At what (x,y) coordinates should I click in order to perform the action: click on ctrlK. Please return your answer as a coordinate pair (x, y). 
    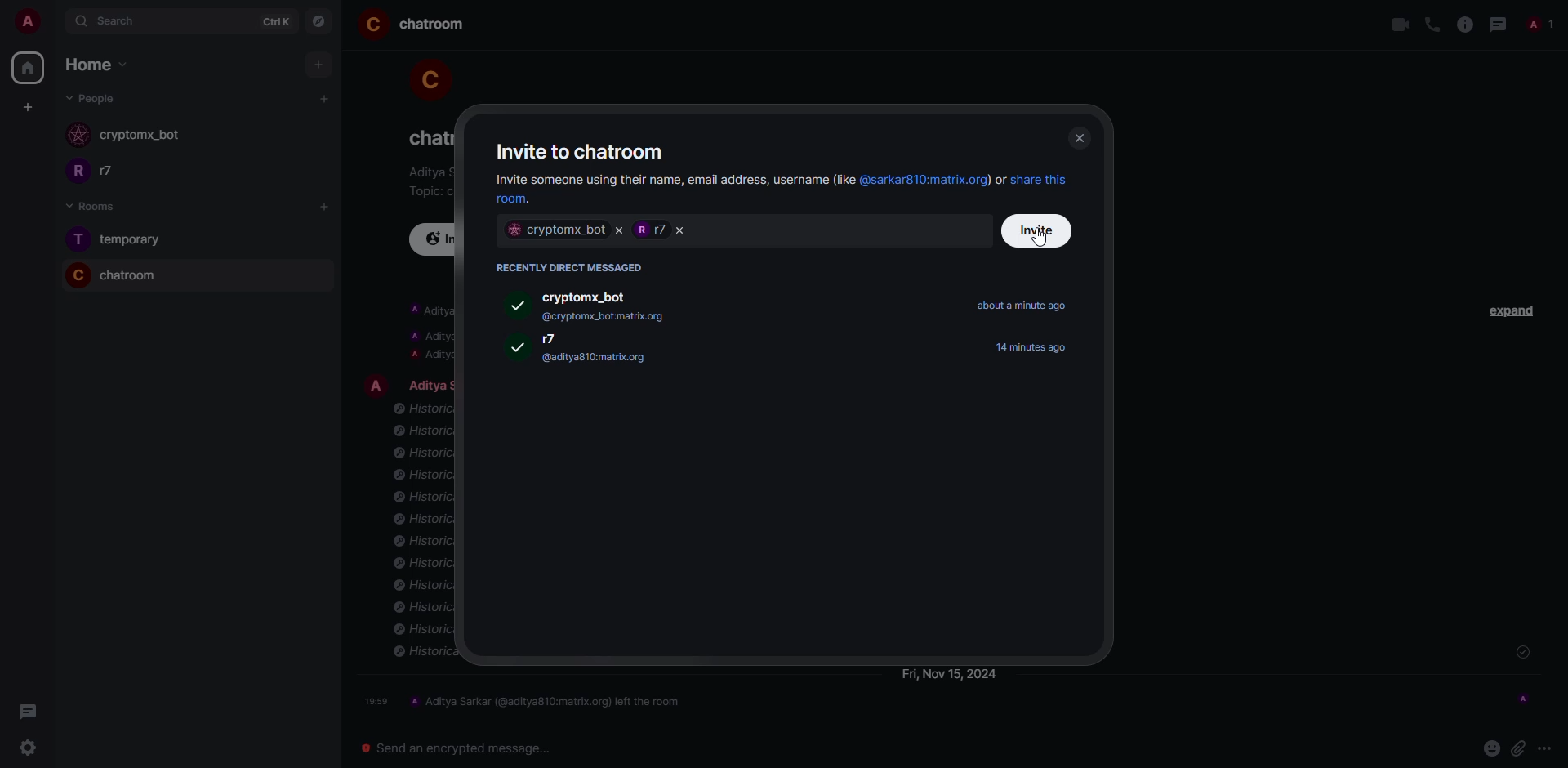
    Looking at the image, I should click on (272, 21).